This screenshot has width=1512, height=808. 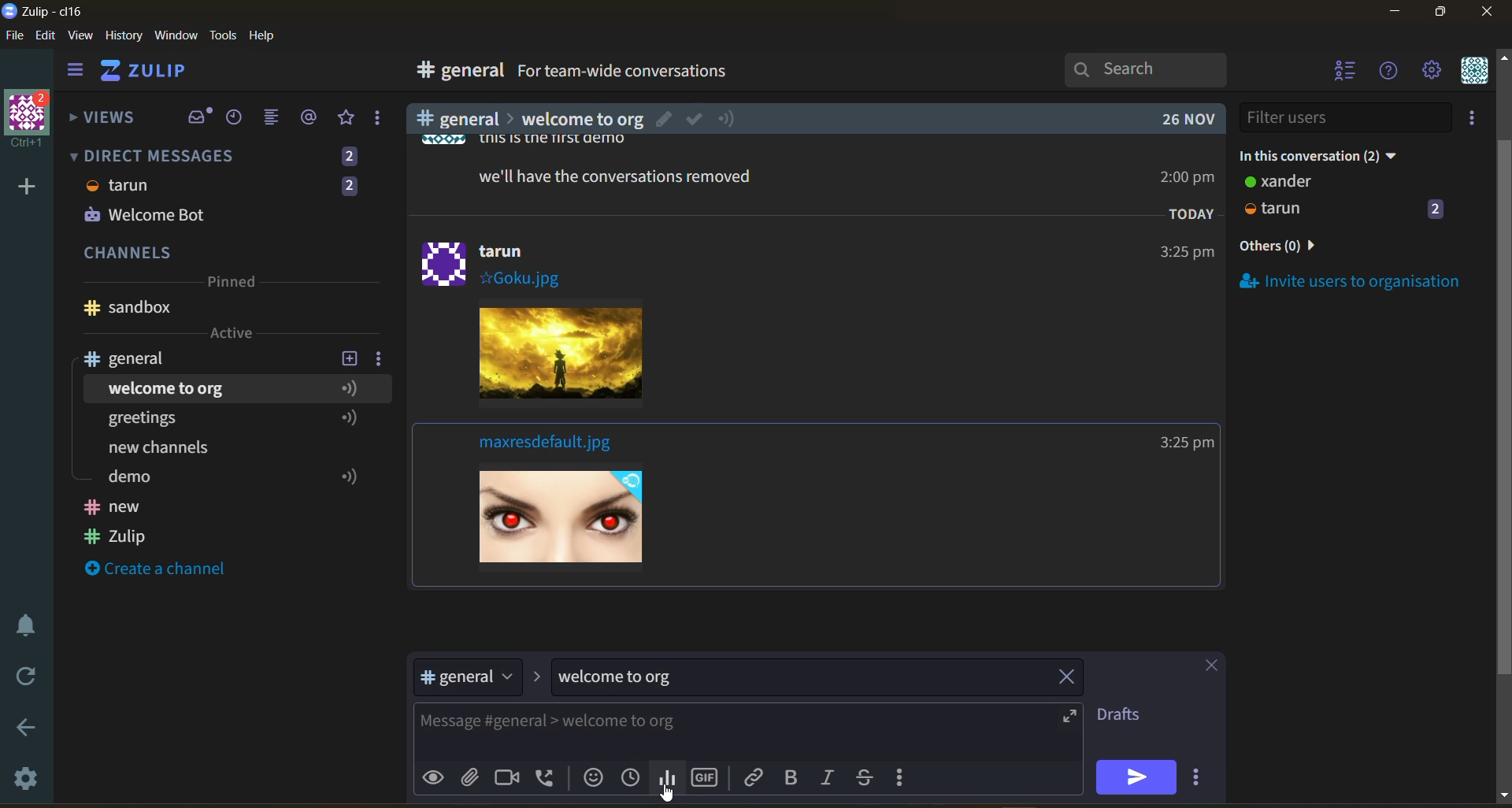 I want to click on , so click(x=604, y=175).